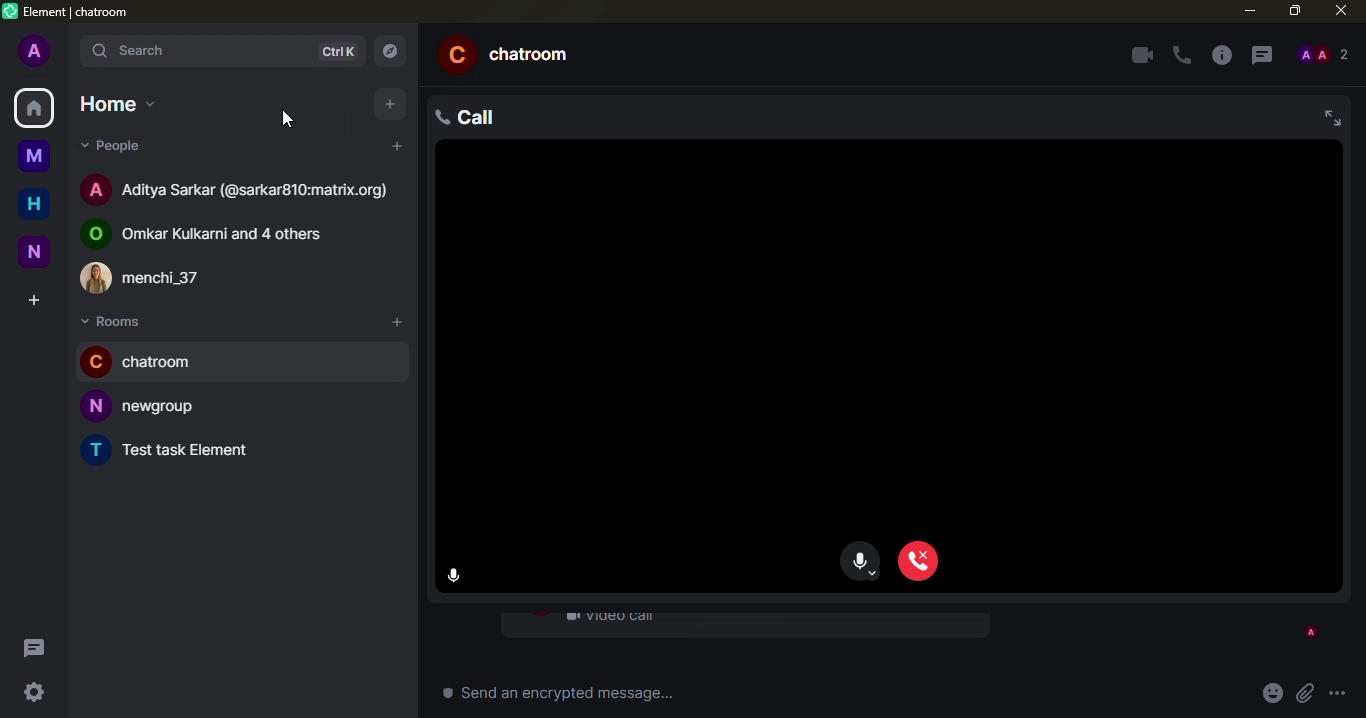 The height and width of the screenshot is (718, 1366). What do you see at coordinates (611, 621) in the screenshot?
I see `video call` at bounding box center [611, 621].